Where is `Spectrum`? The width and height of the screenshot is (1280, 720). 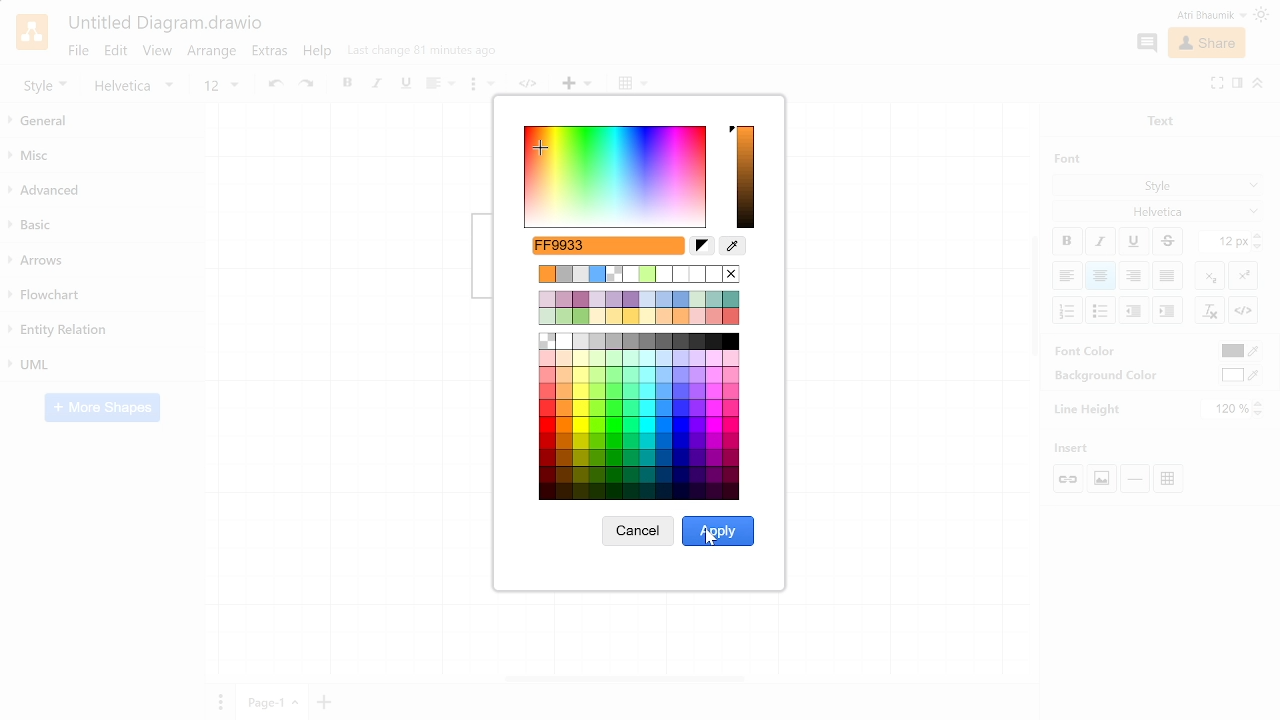
Spectrum is located at coordinates (616, 176).